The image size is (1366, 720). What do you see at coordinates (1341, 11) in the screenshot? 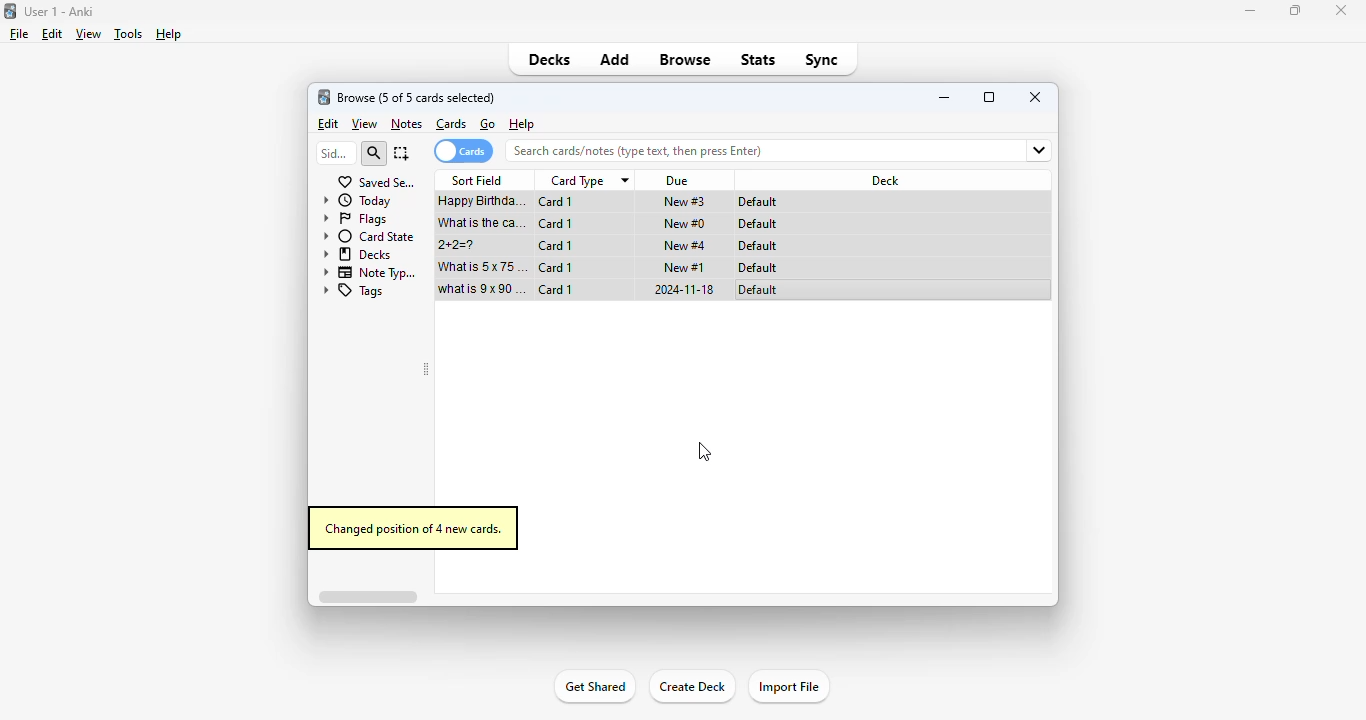
I see `close` at bounding box center [1341, 11].